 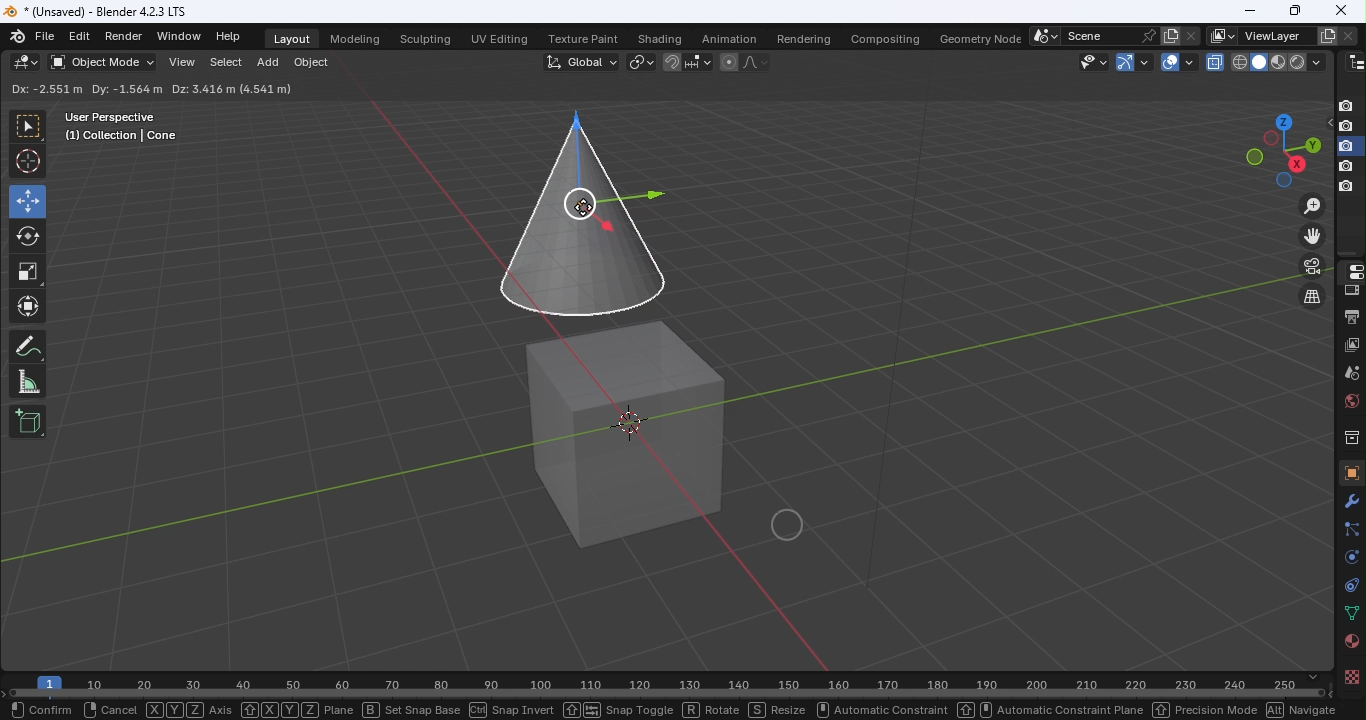 I want to click on viewpoint shader: solid, so click(x=1257, y=62).